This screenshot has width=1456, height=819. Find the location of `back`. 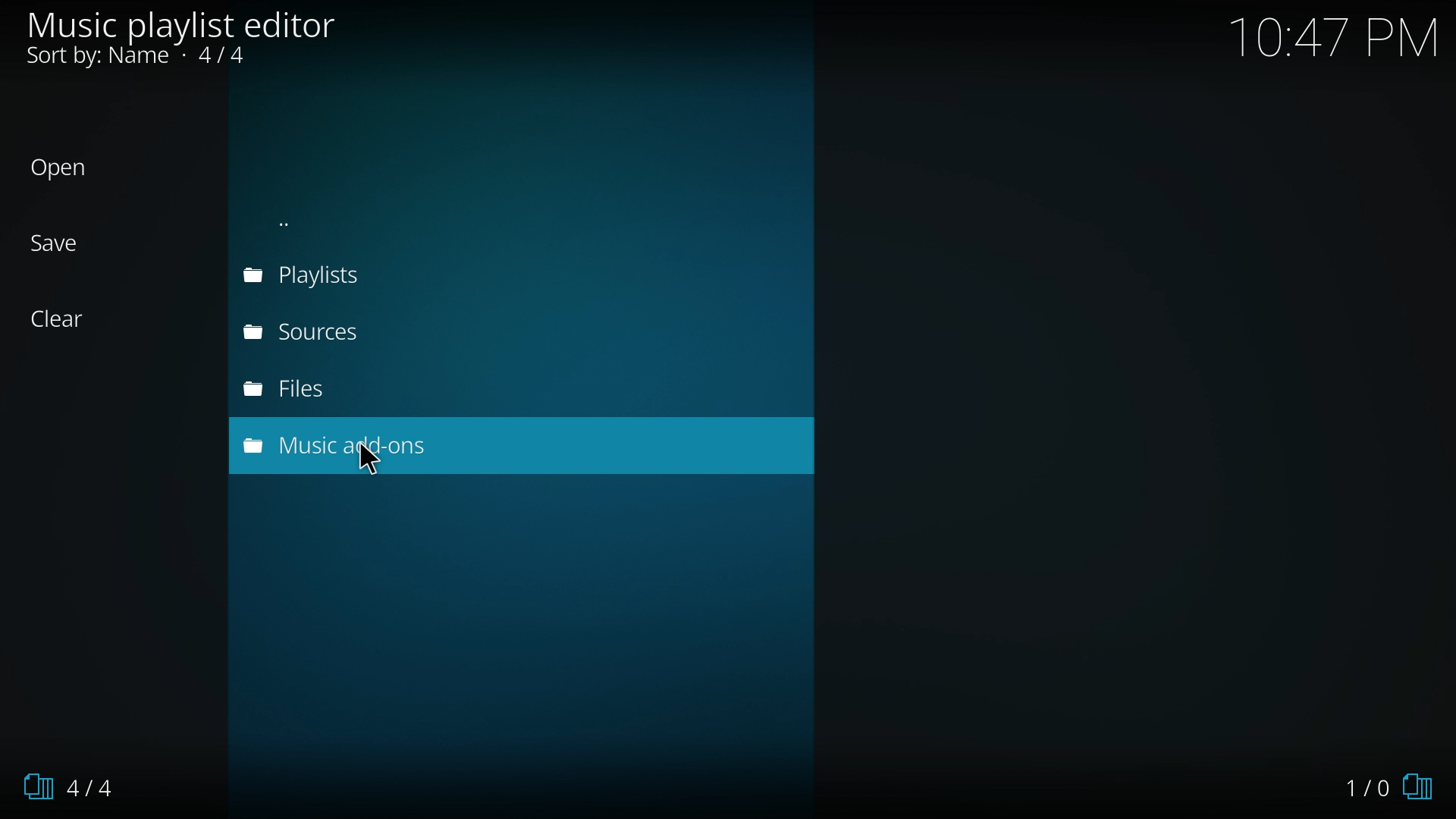

back is located at coordinates (329, 222).